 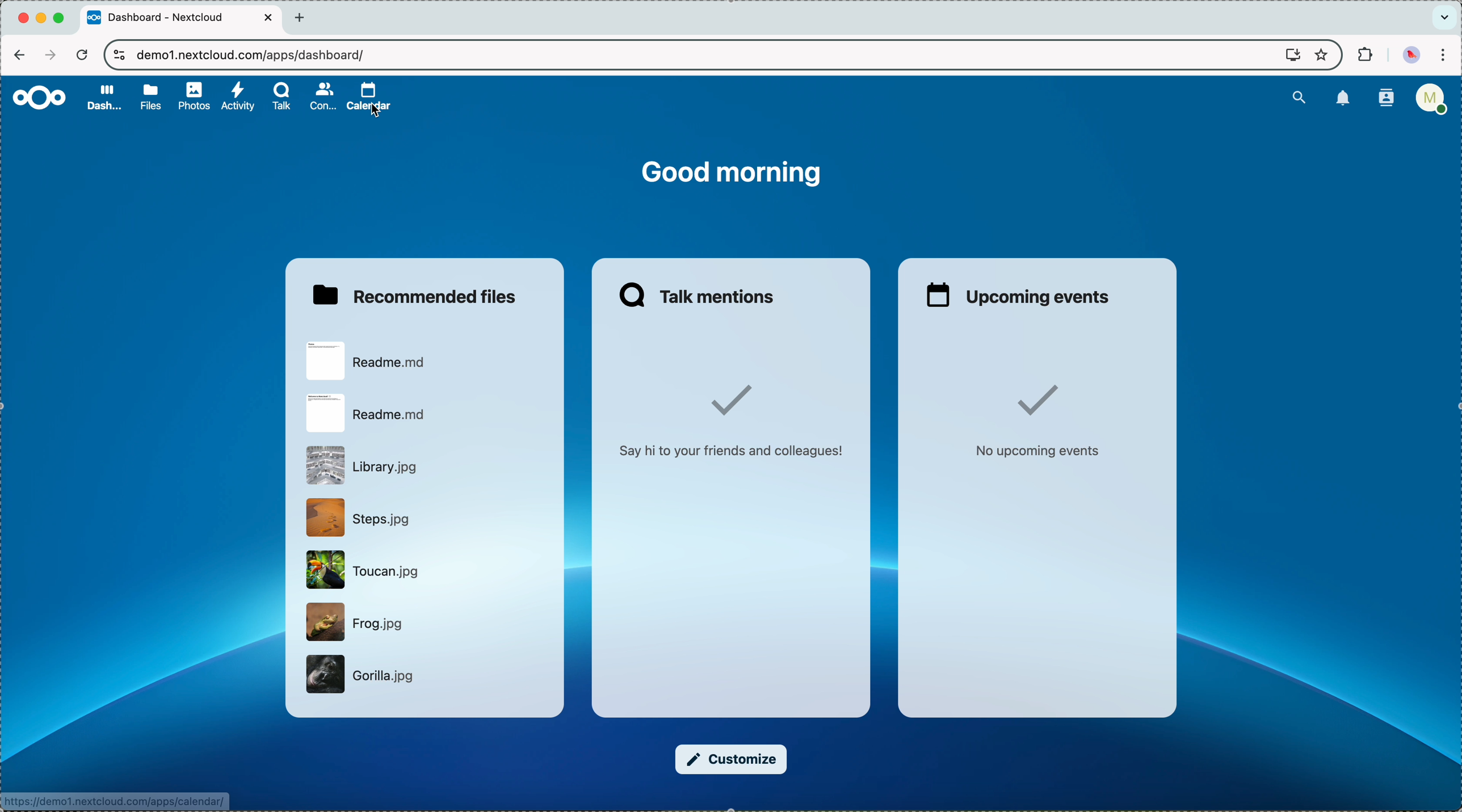 What do you see at coordinates (369, 413) in the screenshot?
I see `file` at bounding box center [369, 413].